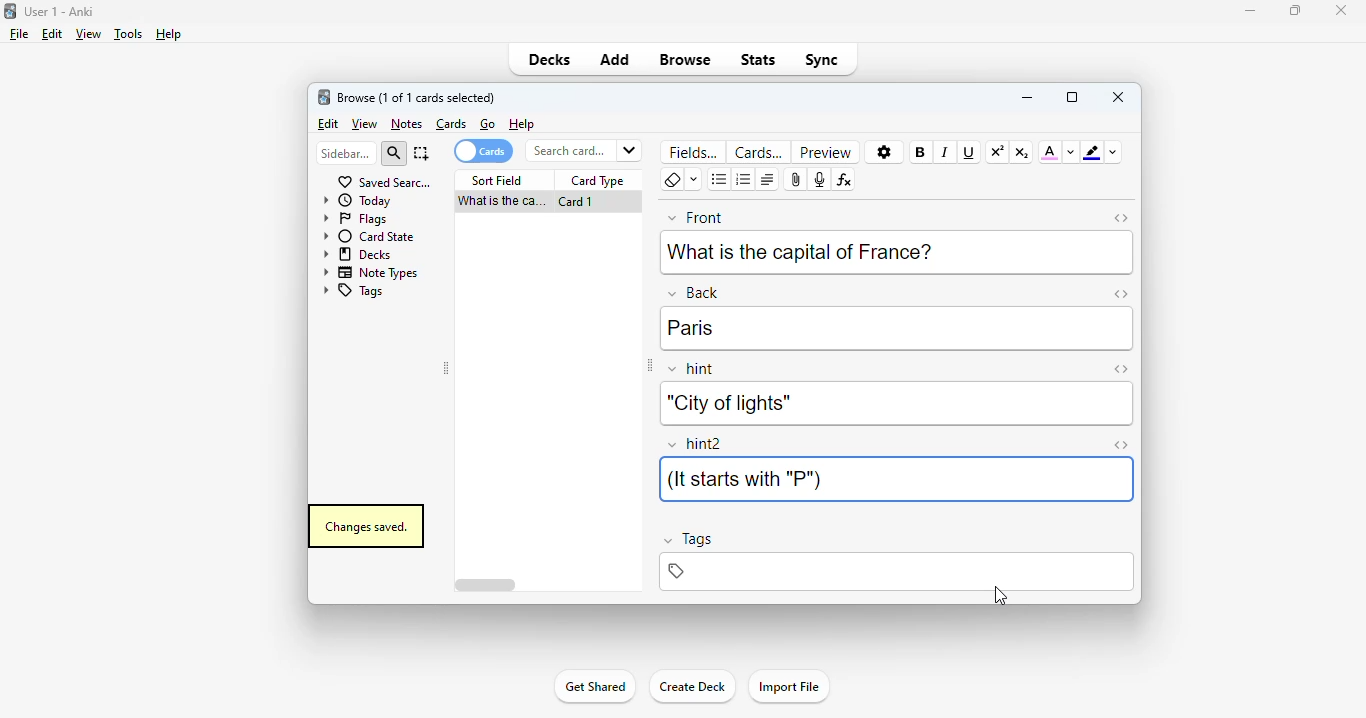 Image resolution: width=1366 pixels, height=718 pixels. Describe the element at coordinates (691, 685) in the screenshot. I see `create deck` at that location.